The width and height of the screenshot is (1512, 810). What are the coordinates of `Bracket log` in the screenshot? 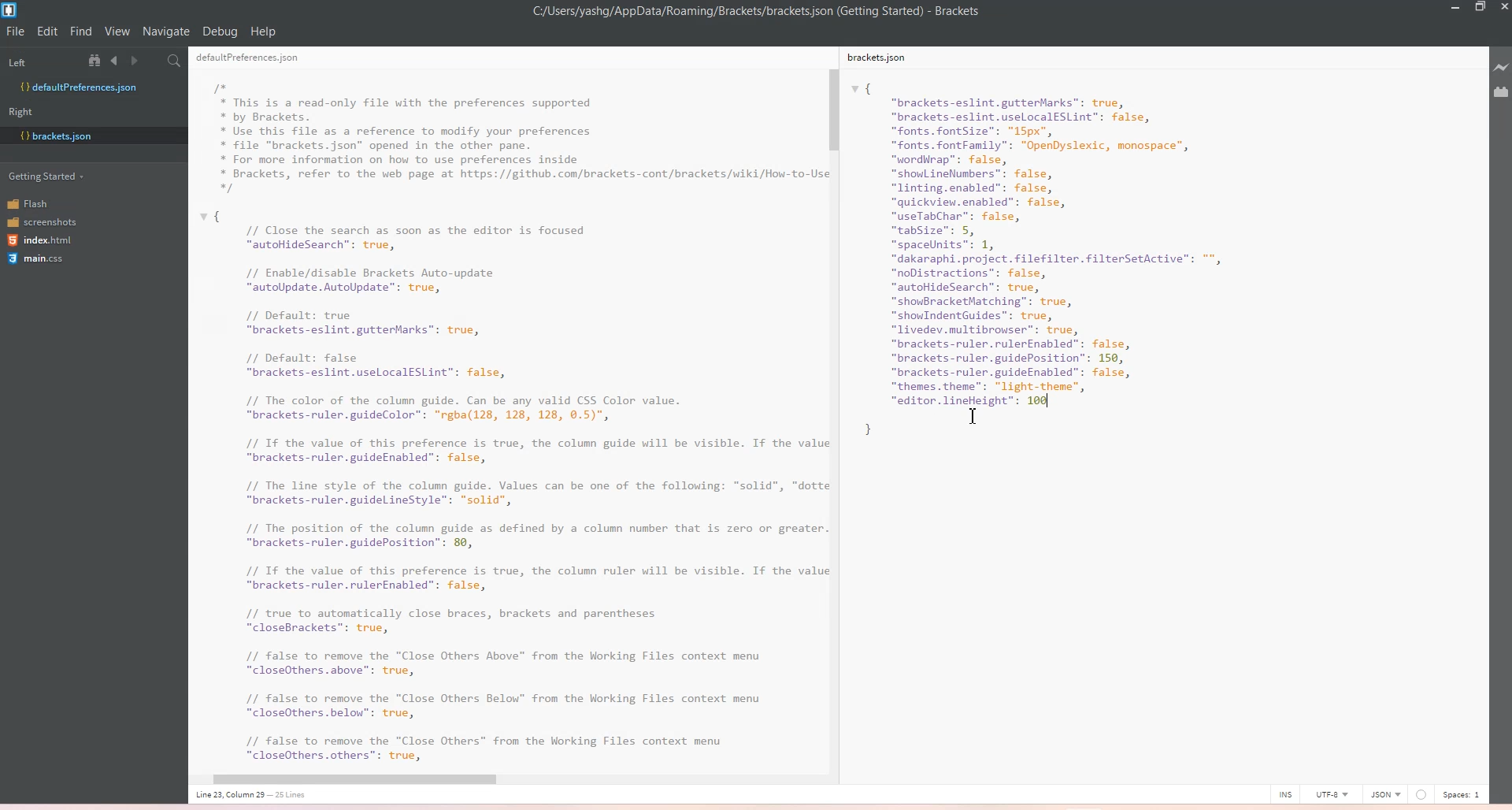 It's located at (11, 10).